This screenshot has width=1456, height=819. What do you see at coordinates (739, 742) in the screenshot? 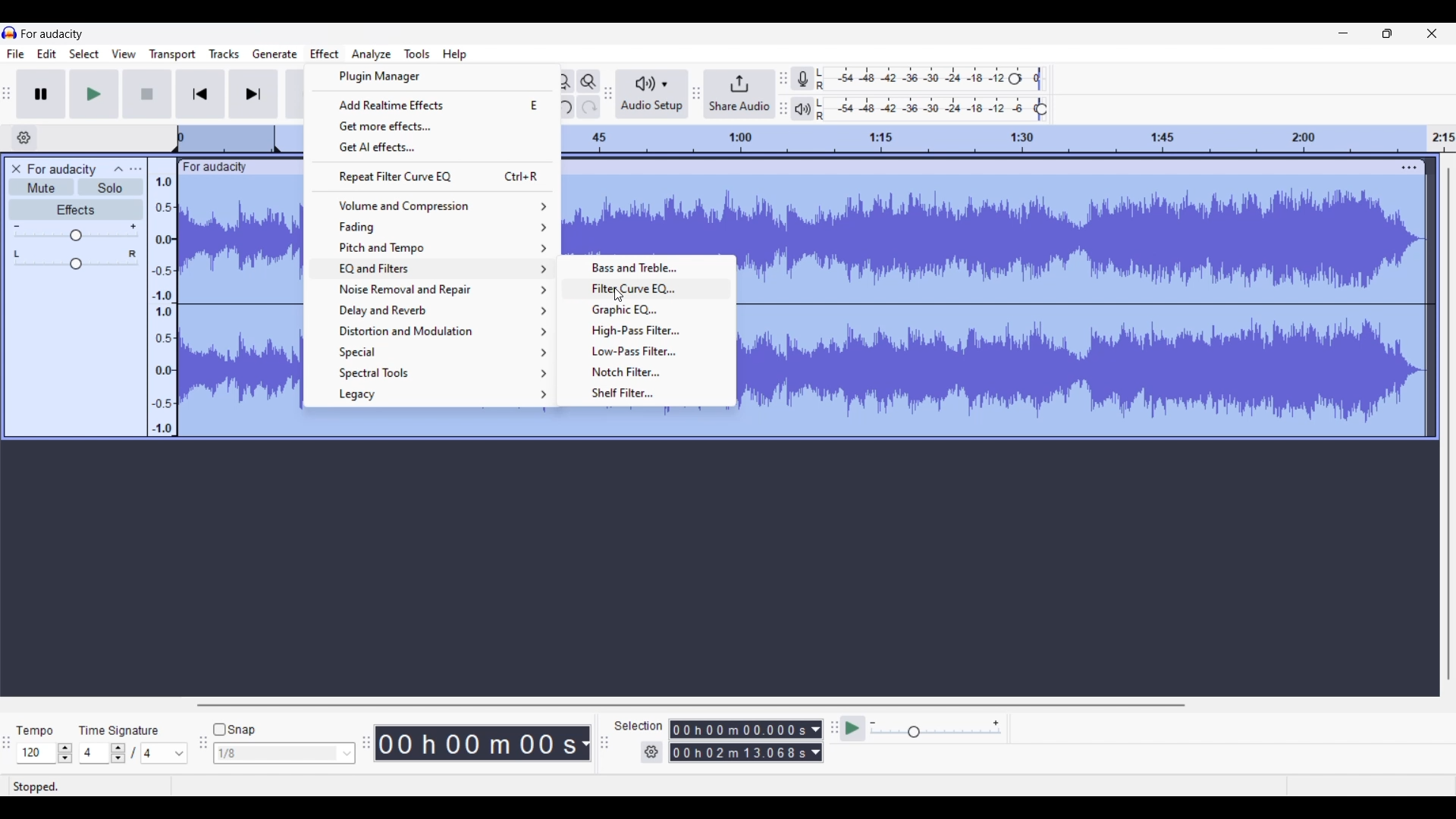
I see `Selection duration` at bounding box center [739, 742].